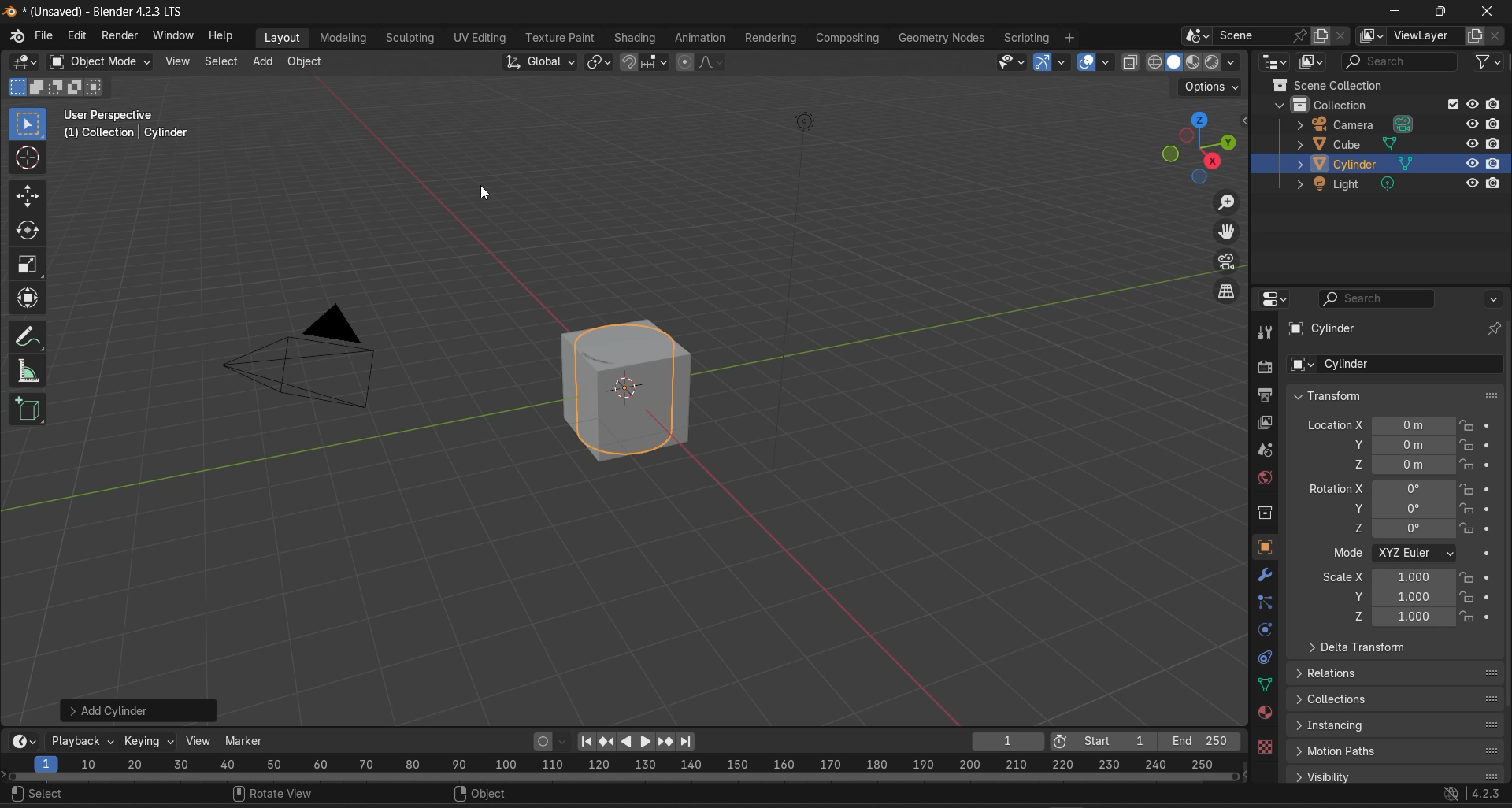 The height and width of the screenshot is (808, 1512). I want to click on collection, so click(1266, 513).